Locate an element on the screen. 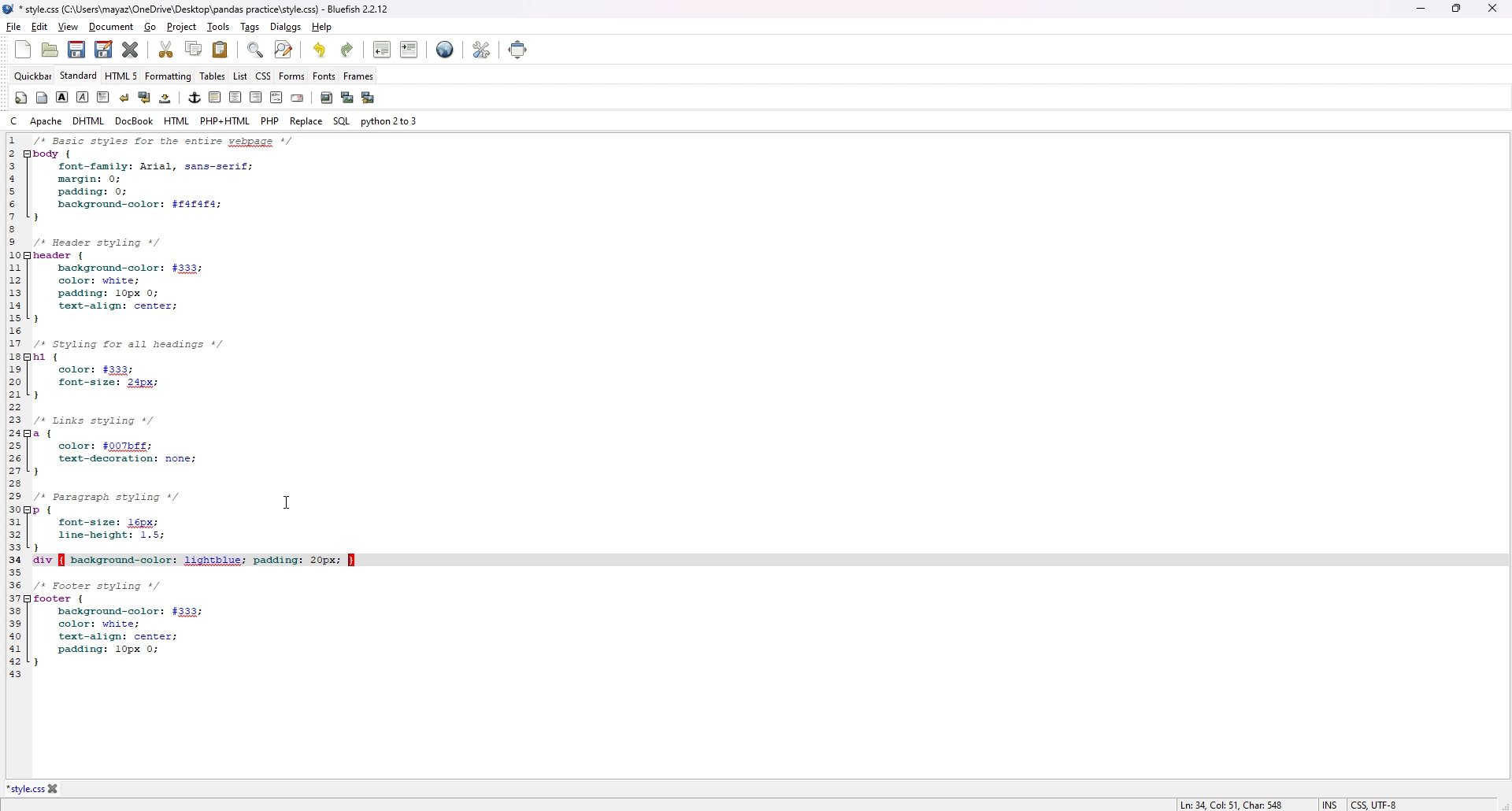  insert image is located at coordinates (328, 98).